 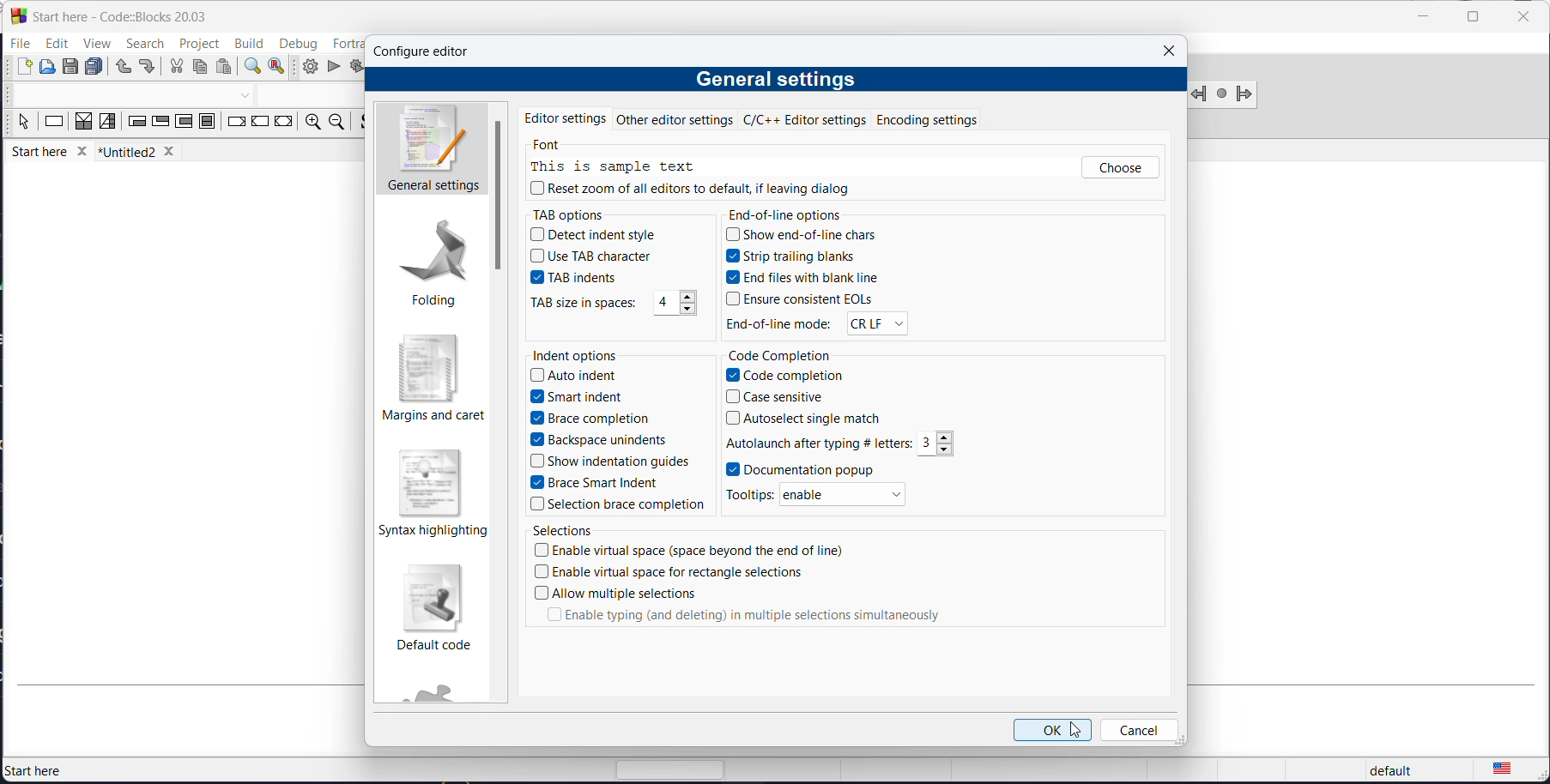 I want to click on default, so click(x=1391, y=767).